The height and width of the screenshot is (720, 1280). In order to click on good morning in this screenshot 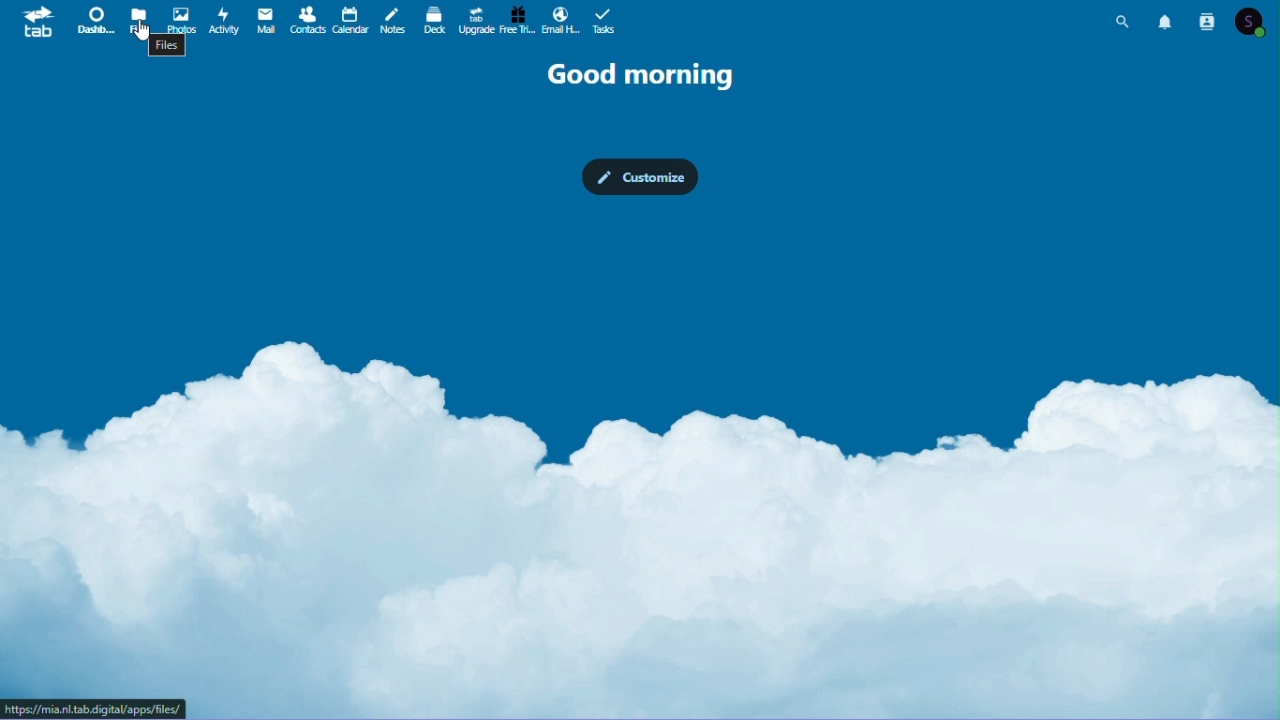, I will do `click(635, 78)`.